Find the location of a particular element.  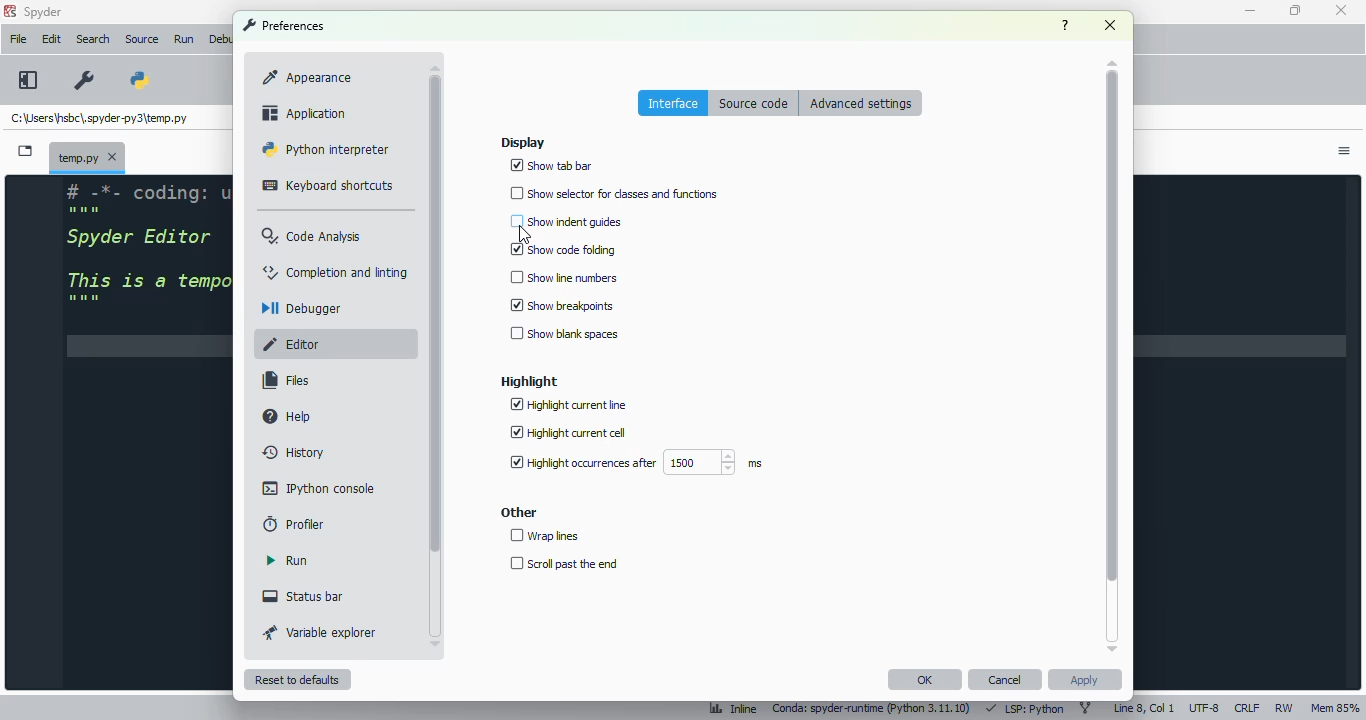

file is located at coordinates (19, 39).